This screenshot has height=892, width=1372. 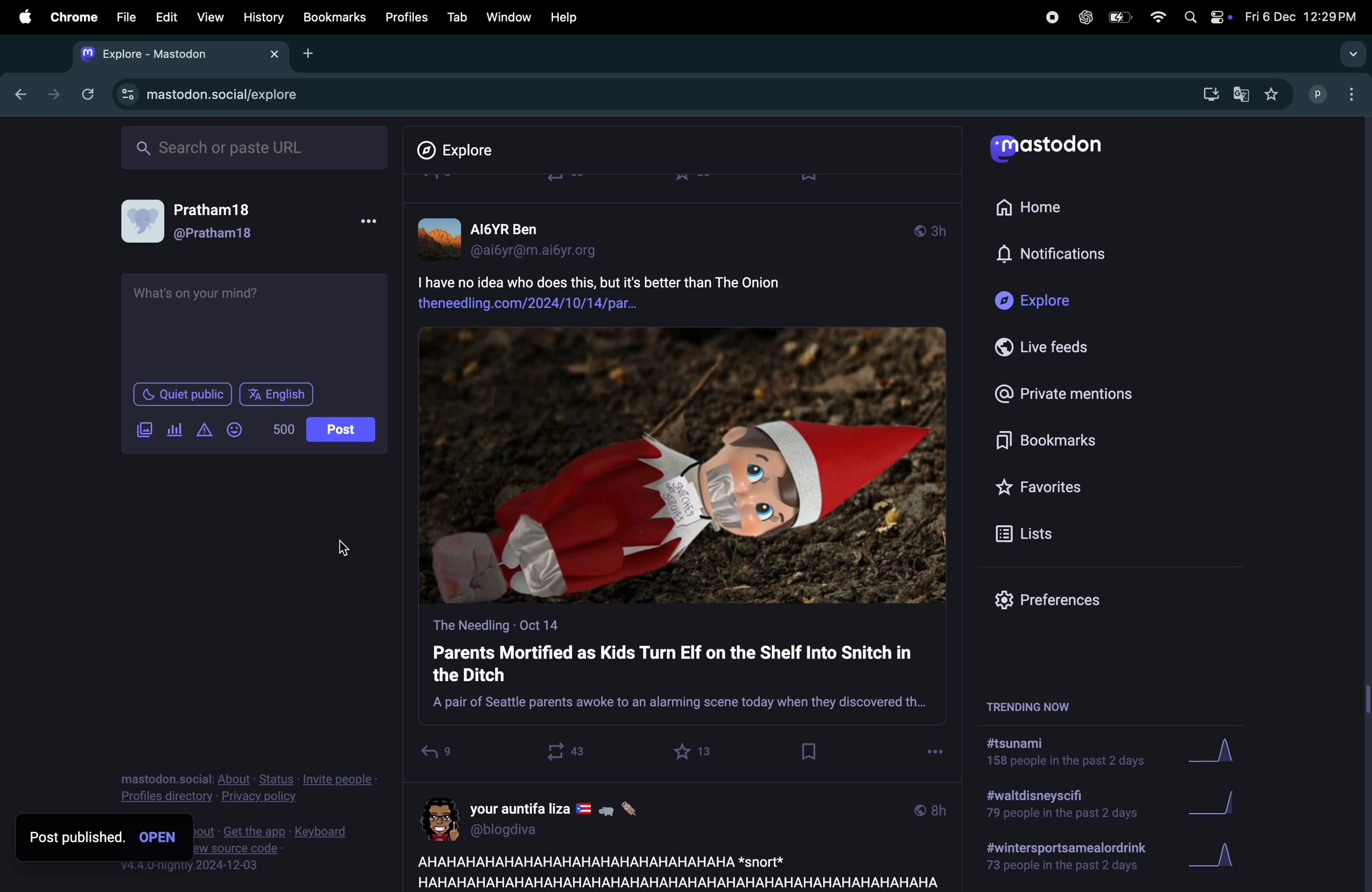 I want to click on Book mark, so click(x=333, y=17).